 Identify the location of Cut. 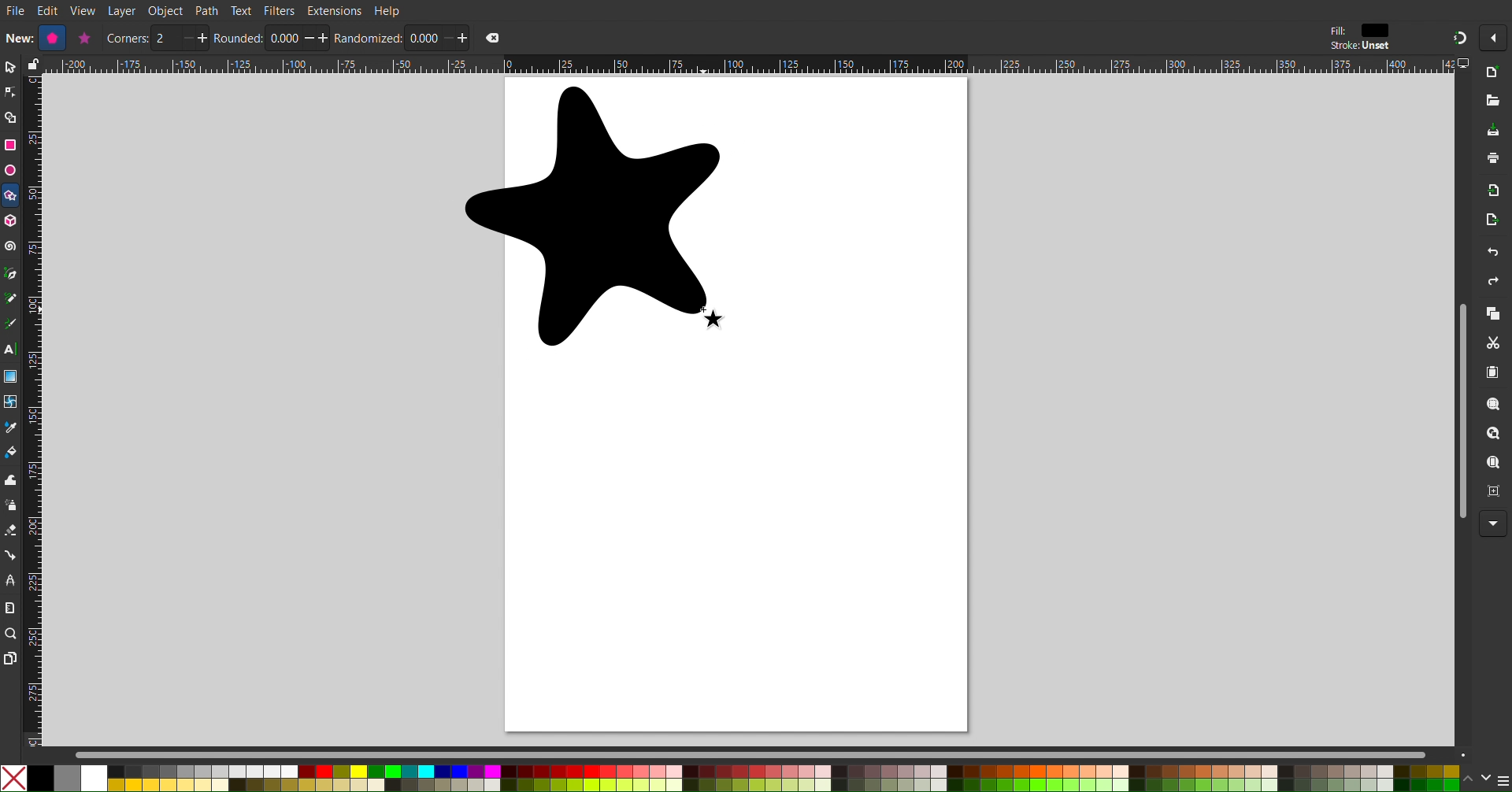
(1496, 344).